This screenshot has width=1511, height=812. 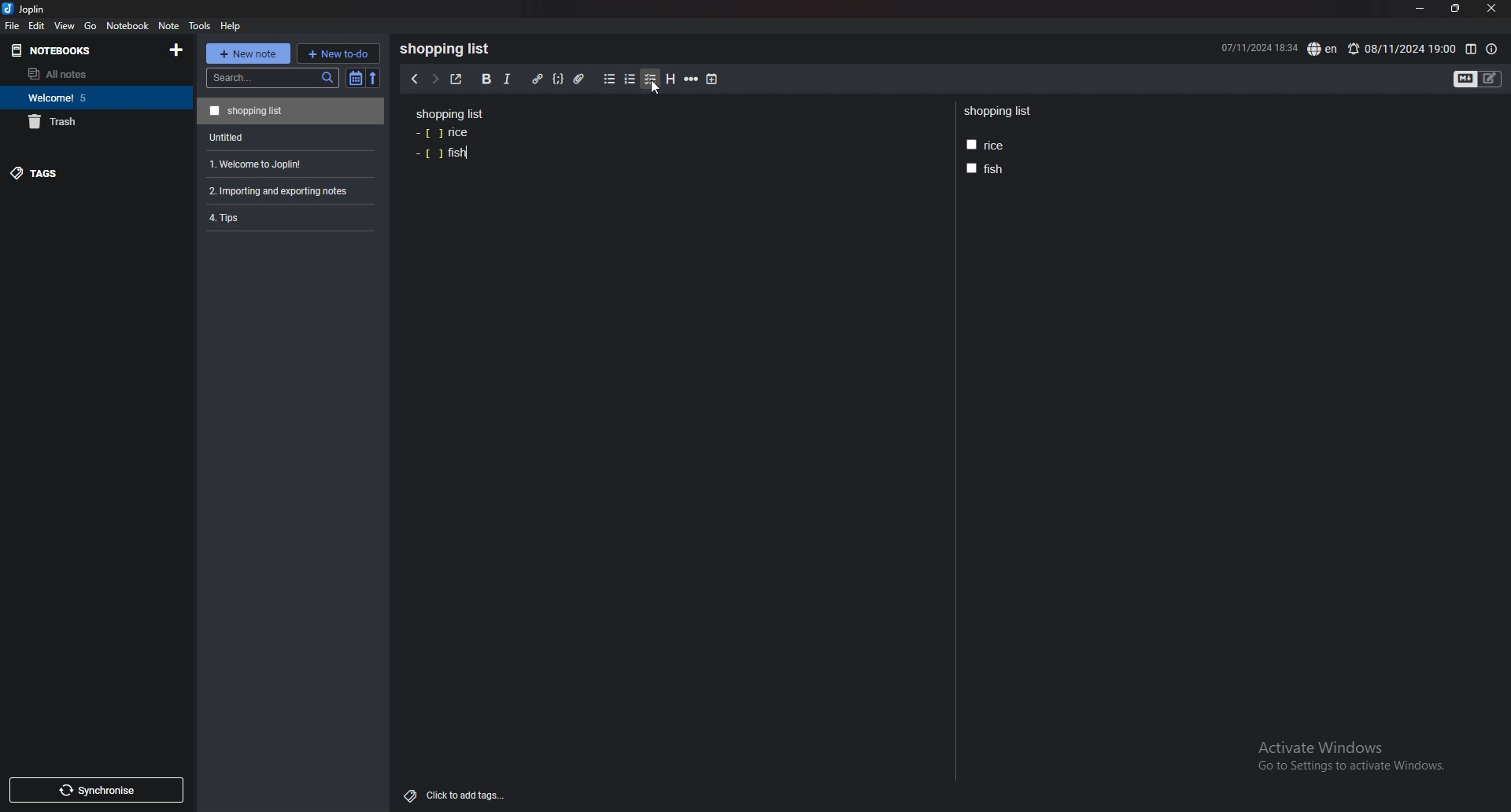 I want to click on trash, so click(x=93, y=121).